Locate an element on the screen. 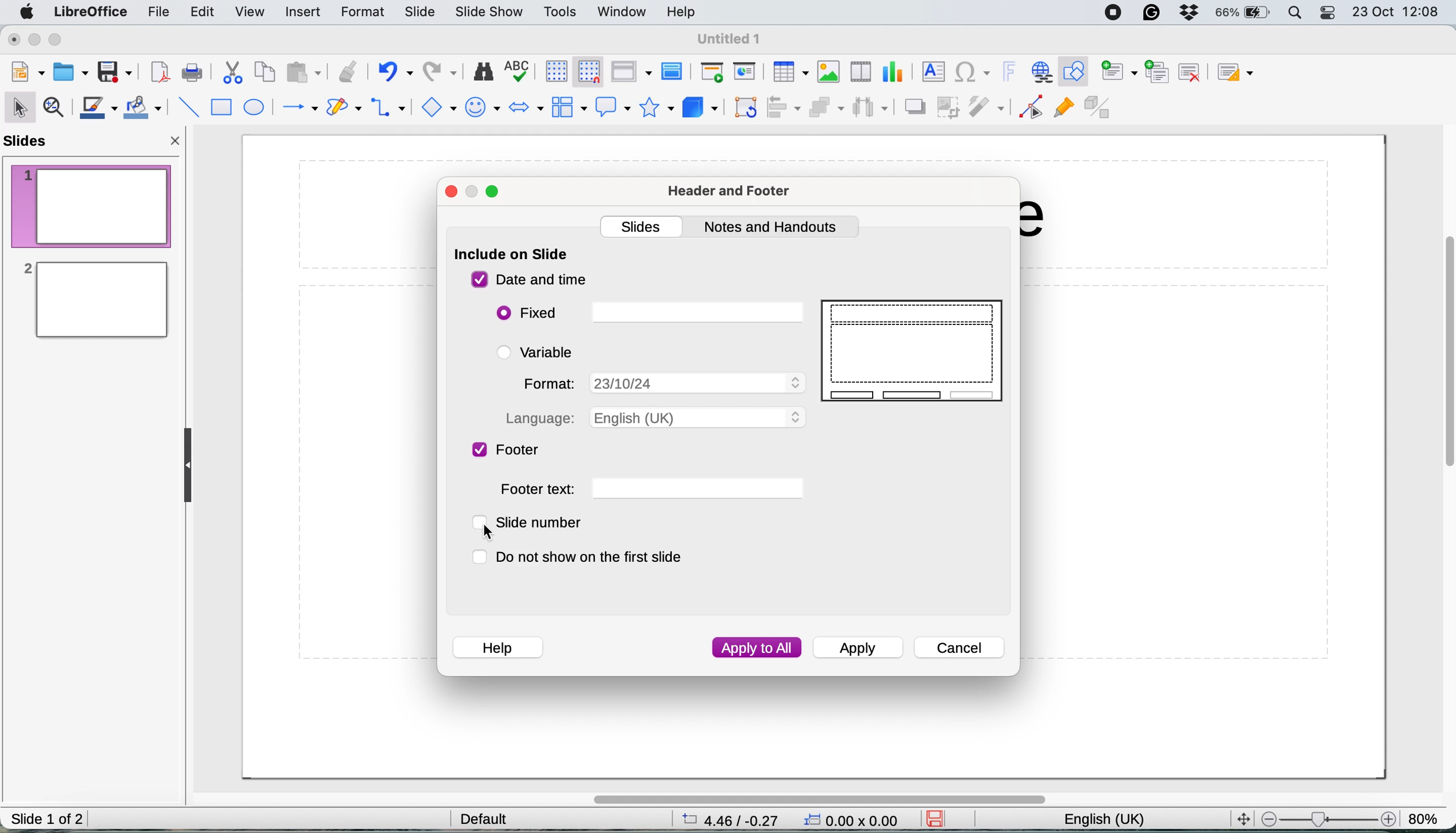 The height and width of the screenshot is (833, 1456). slide is located at coordinates (420, 13).